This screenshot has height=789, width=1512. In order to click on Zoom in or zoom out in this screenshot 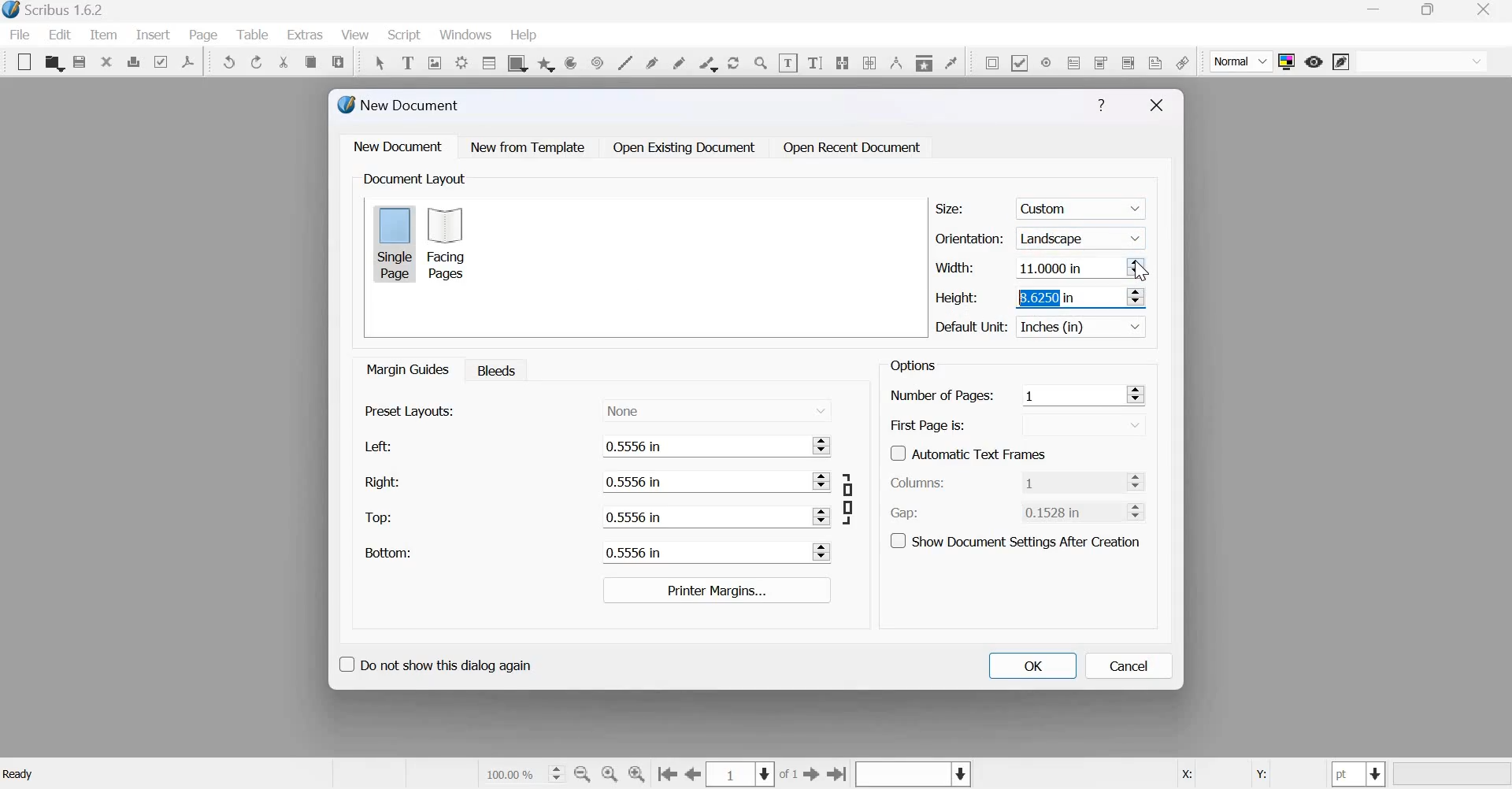, I will do `click(761, 62)`.